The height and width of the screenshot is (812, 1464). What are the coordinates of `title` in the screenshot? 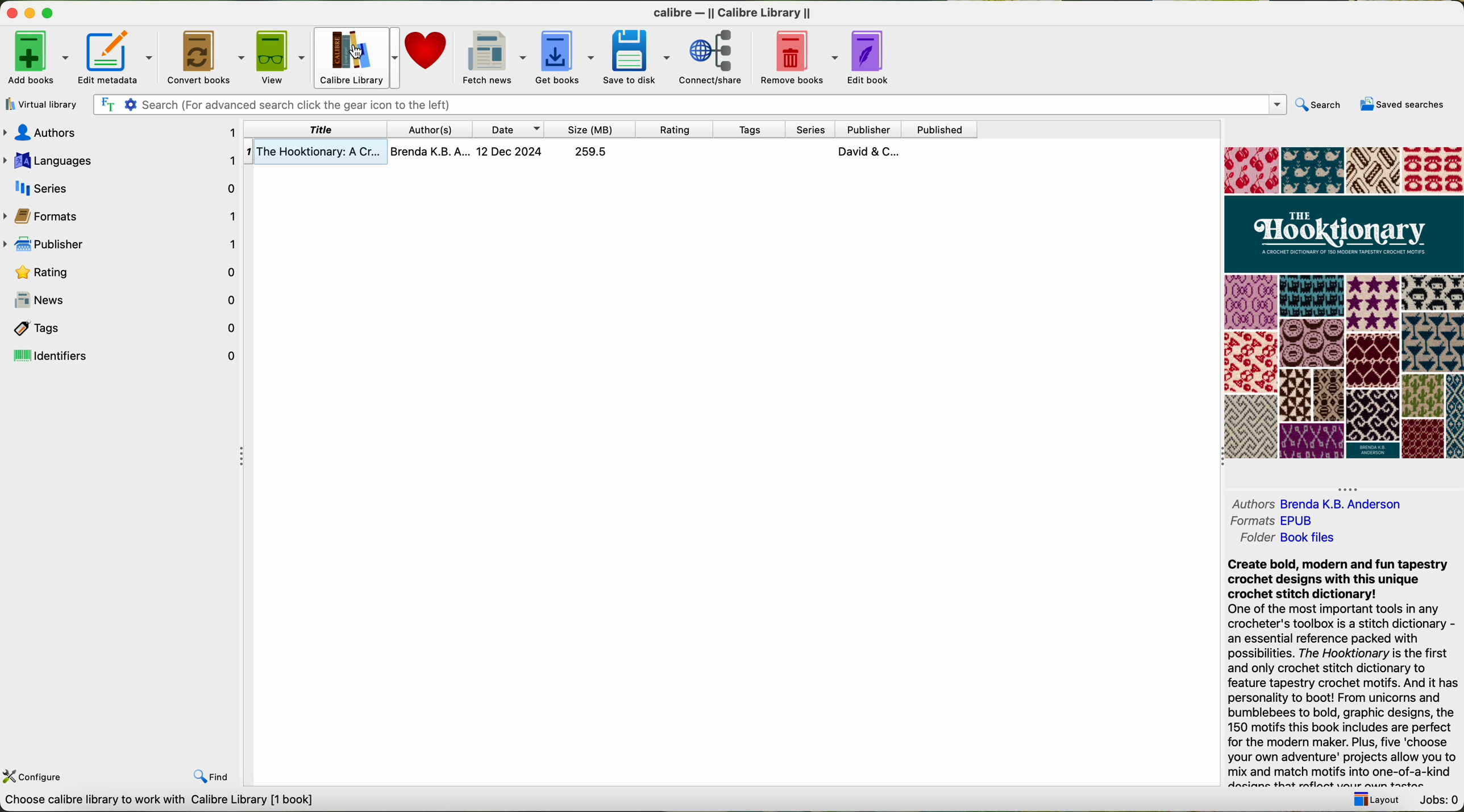 It's located at (317, 129).